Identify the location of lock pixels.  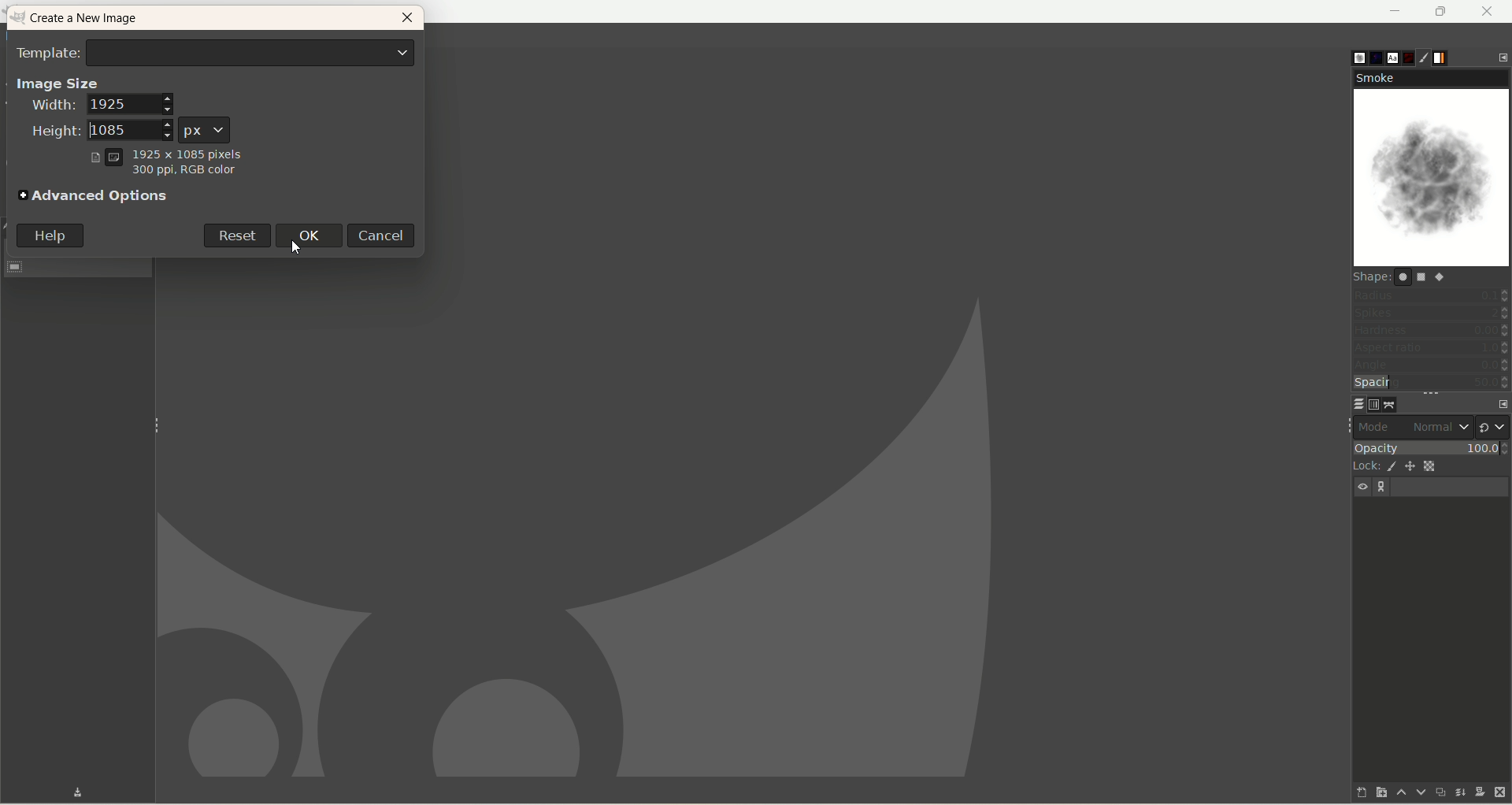
(1389, 466).